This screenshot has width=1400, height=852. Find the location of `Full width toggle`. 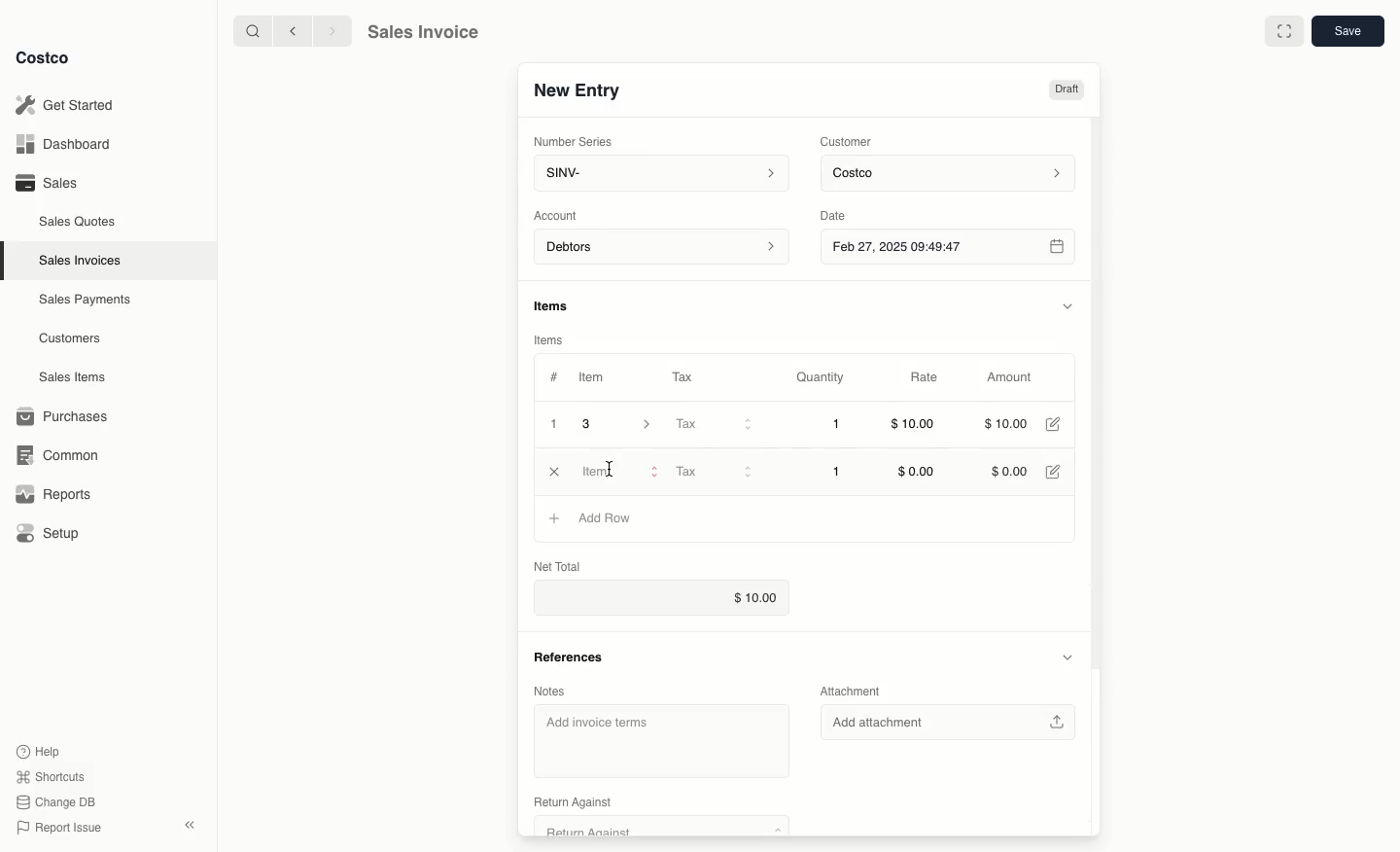

Full width toggle is located at coordinates (1283, 31).